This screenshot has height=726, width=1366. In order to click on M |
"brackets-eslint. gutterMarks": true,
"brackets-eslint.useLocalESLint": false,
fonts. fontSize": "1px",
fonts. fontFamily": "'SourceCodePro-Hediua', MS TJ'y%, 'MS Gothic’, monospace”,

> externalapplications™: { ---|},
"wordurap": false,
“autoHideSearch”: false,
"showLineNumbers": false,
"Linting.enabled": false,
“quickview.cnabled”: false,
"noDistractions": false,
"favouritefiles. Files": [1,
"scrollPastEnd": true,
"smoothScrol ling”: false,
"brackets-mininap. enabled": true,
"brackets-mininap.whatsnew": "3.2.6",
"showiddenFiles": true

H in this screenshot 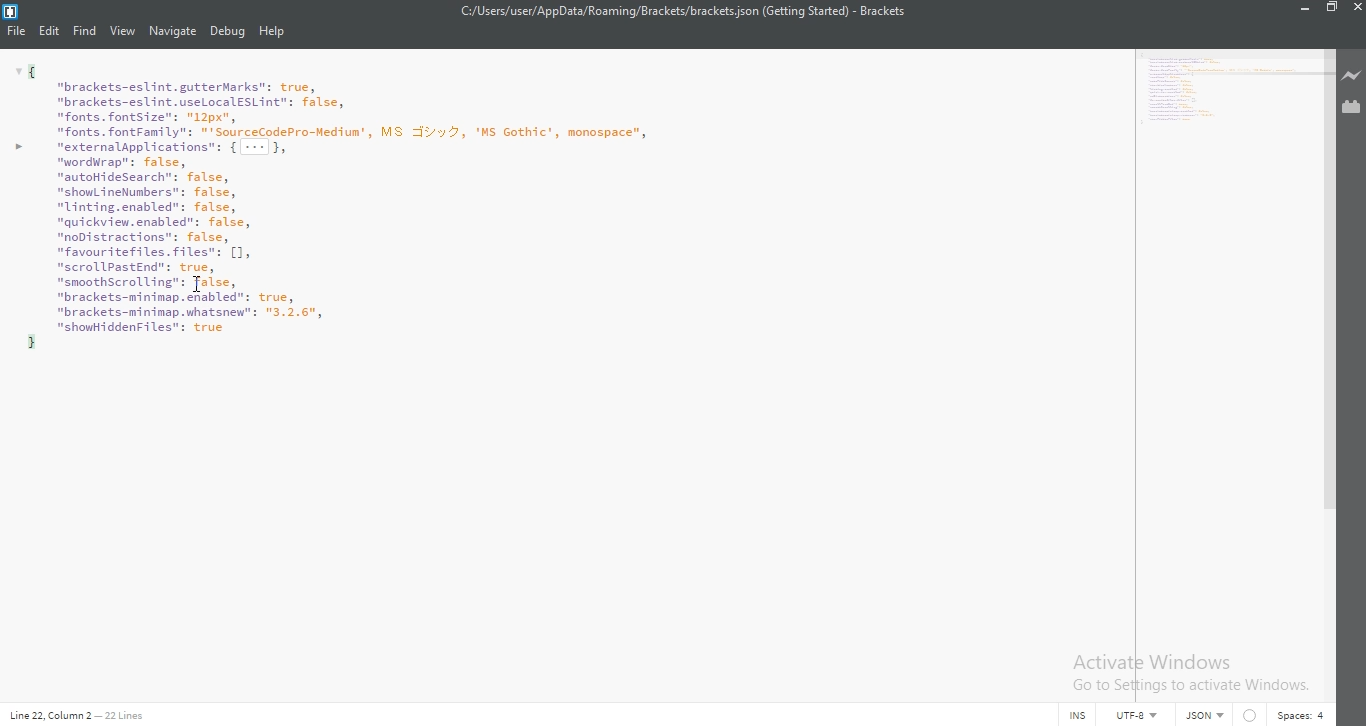, I will do `click(562, 206)`.